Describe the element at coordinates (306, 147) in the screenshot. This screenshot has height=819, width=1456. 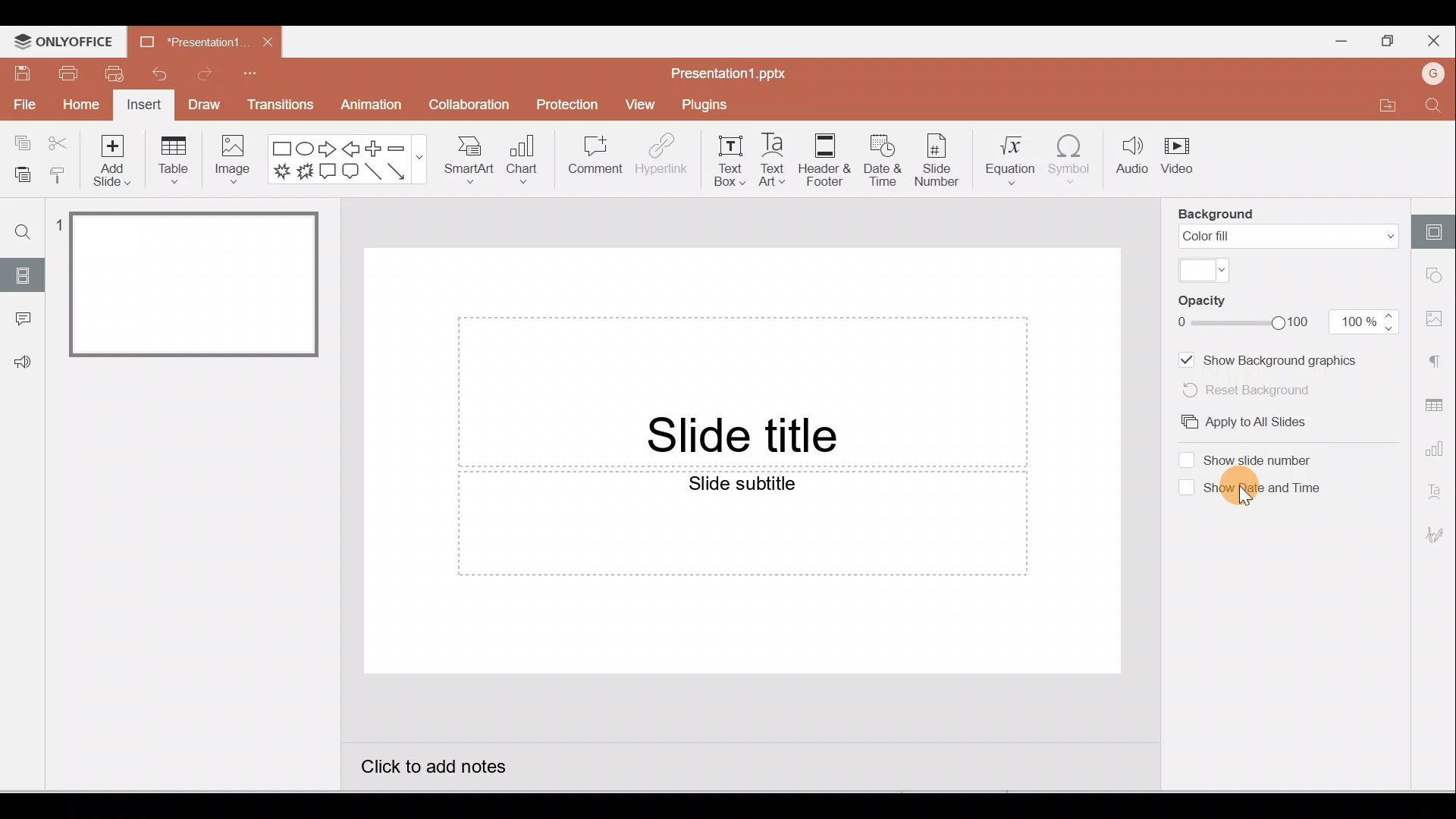
I see `Ellipse` at that location.